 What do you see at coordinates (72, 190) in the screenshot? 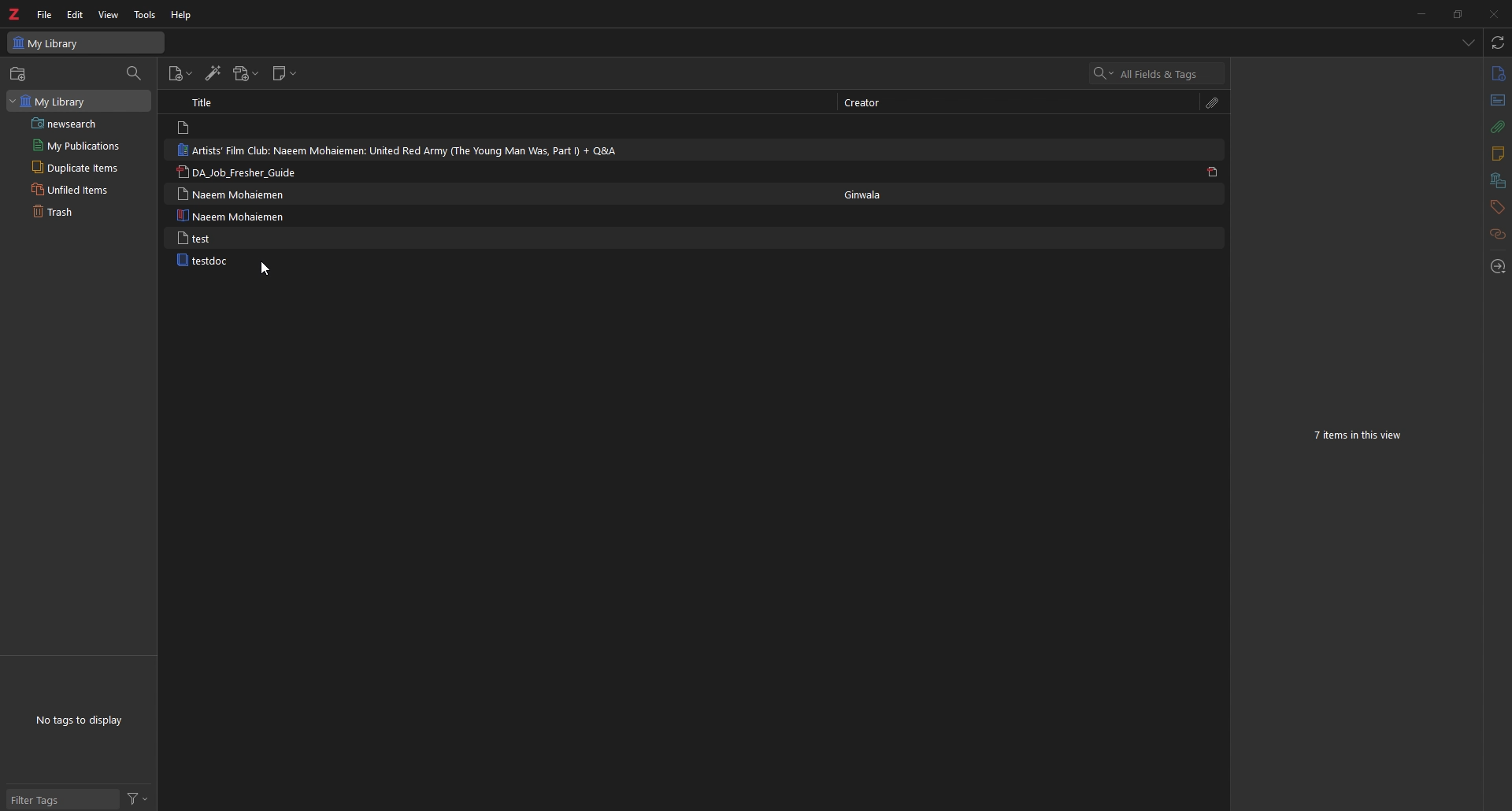
I see `unfiled items` at bounding box center [72, 190].